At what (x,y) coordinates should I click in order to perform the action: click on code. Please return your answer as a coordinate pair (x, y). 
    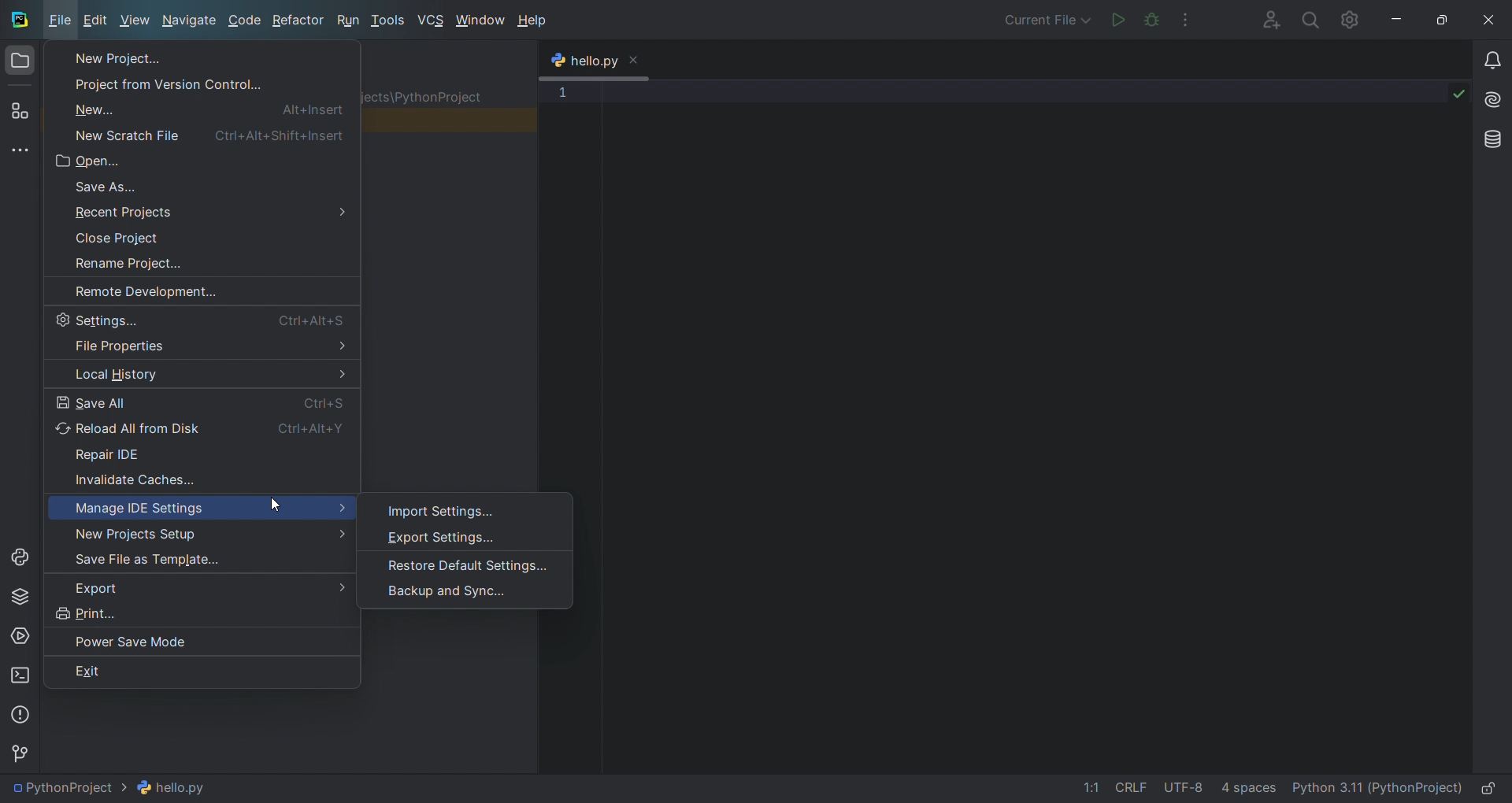
    Looking at the image, I should click on (246, 20).